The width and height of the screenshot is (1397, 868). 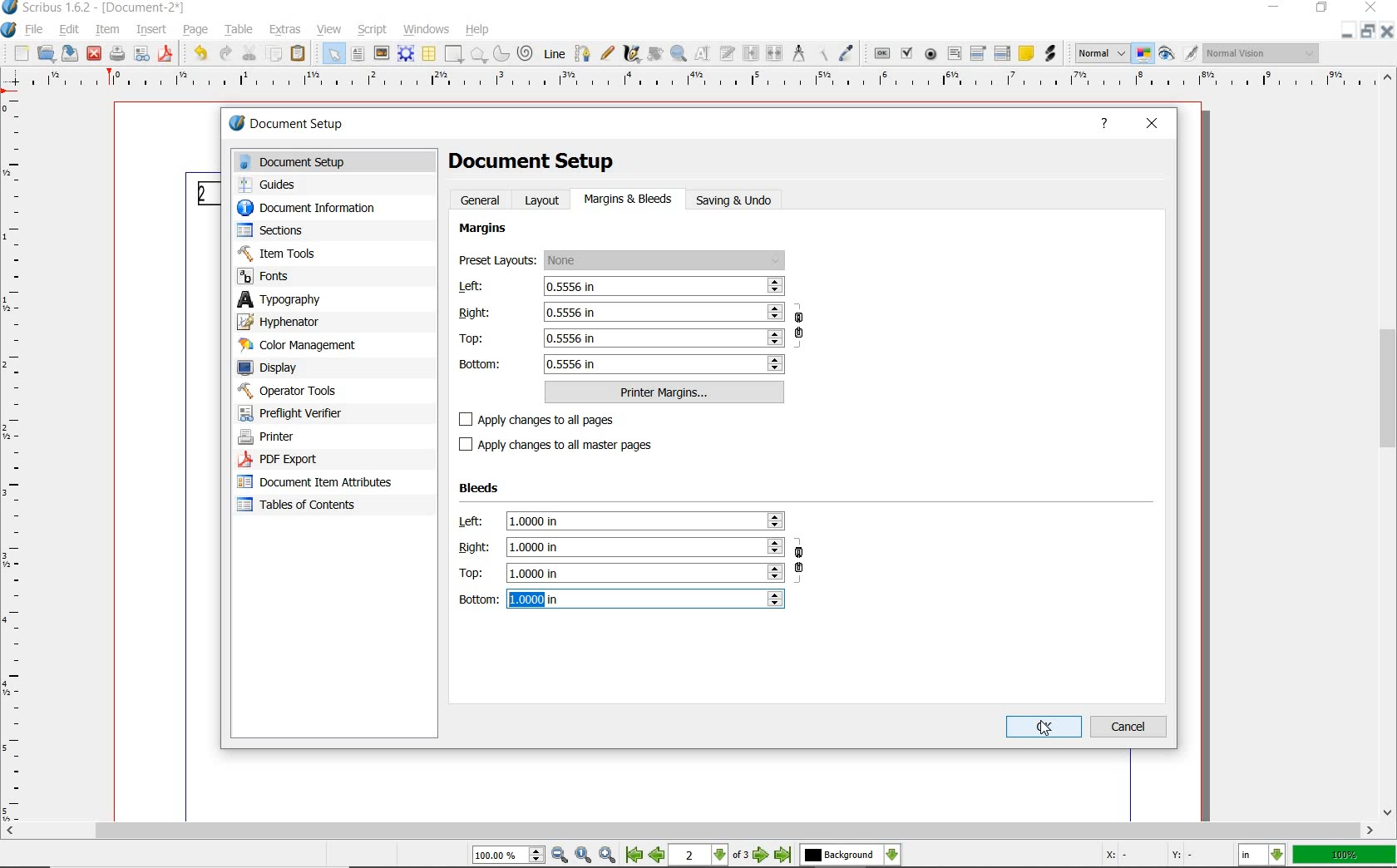 I want to click on render frame, so click(x=406, y=52).